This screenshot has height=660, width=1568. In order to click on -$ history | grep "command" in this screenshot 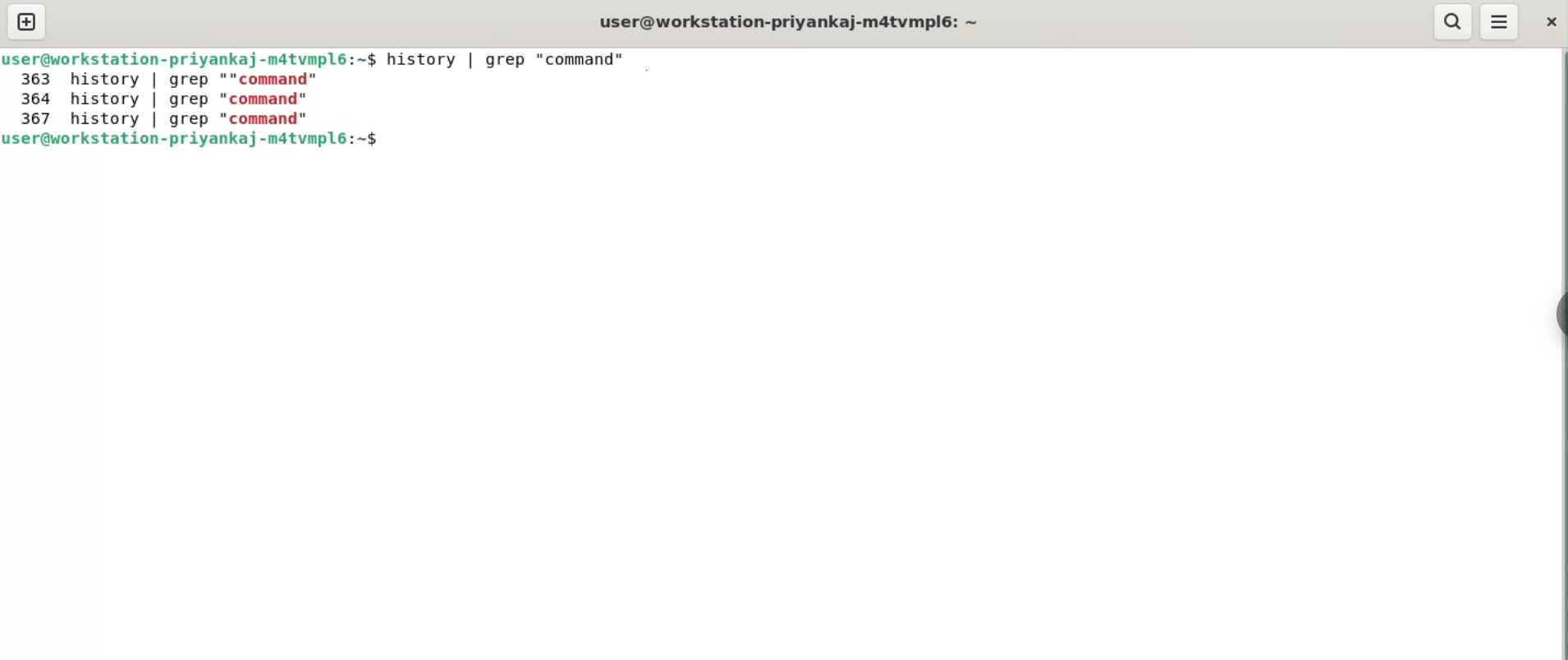, I will do `click(502, 60)`.